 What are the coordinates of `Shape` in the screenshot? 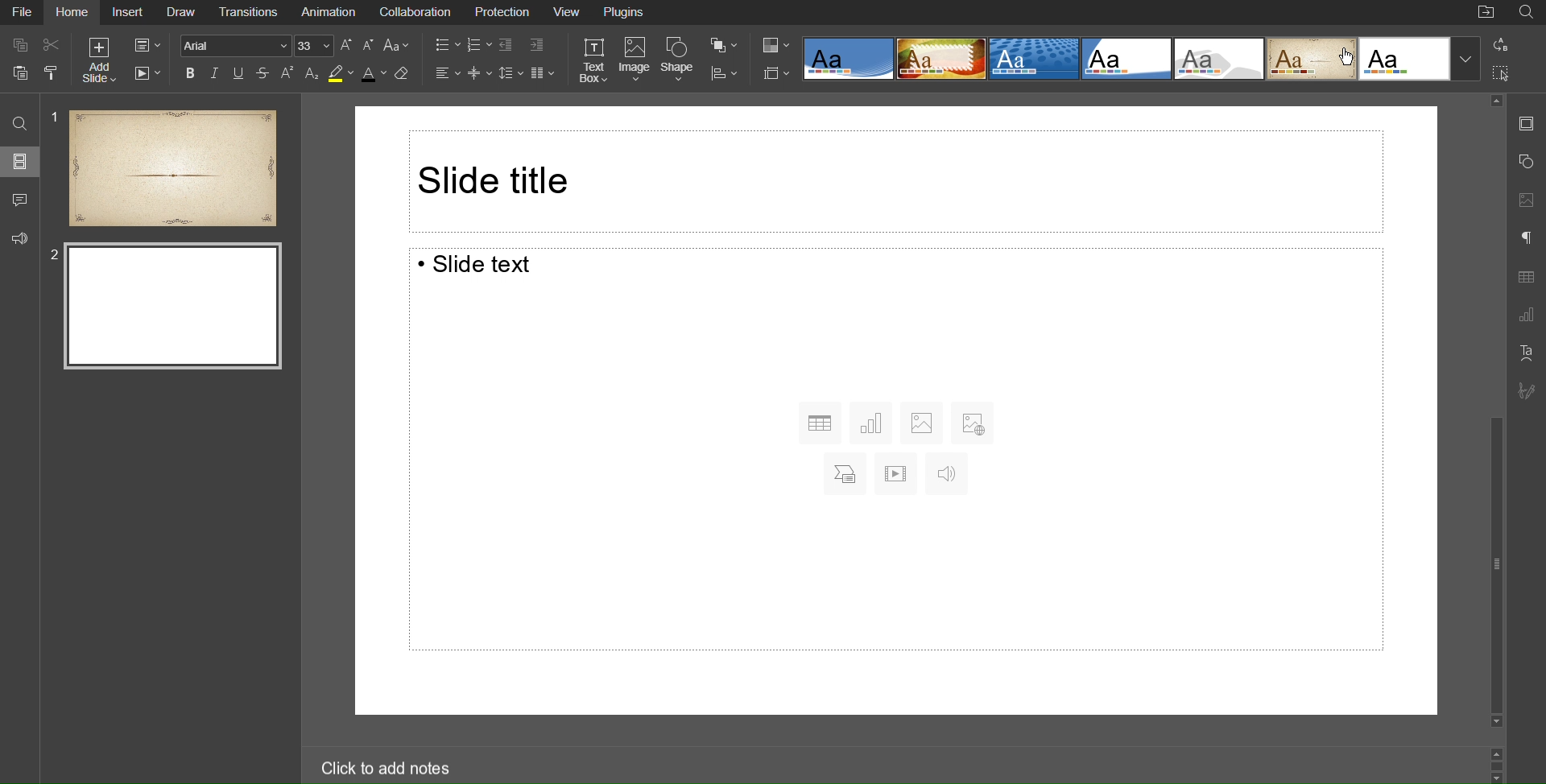 It's located at (678, 61).